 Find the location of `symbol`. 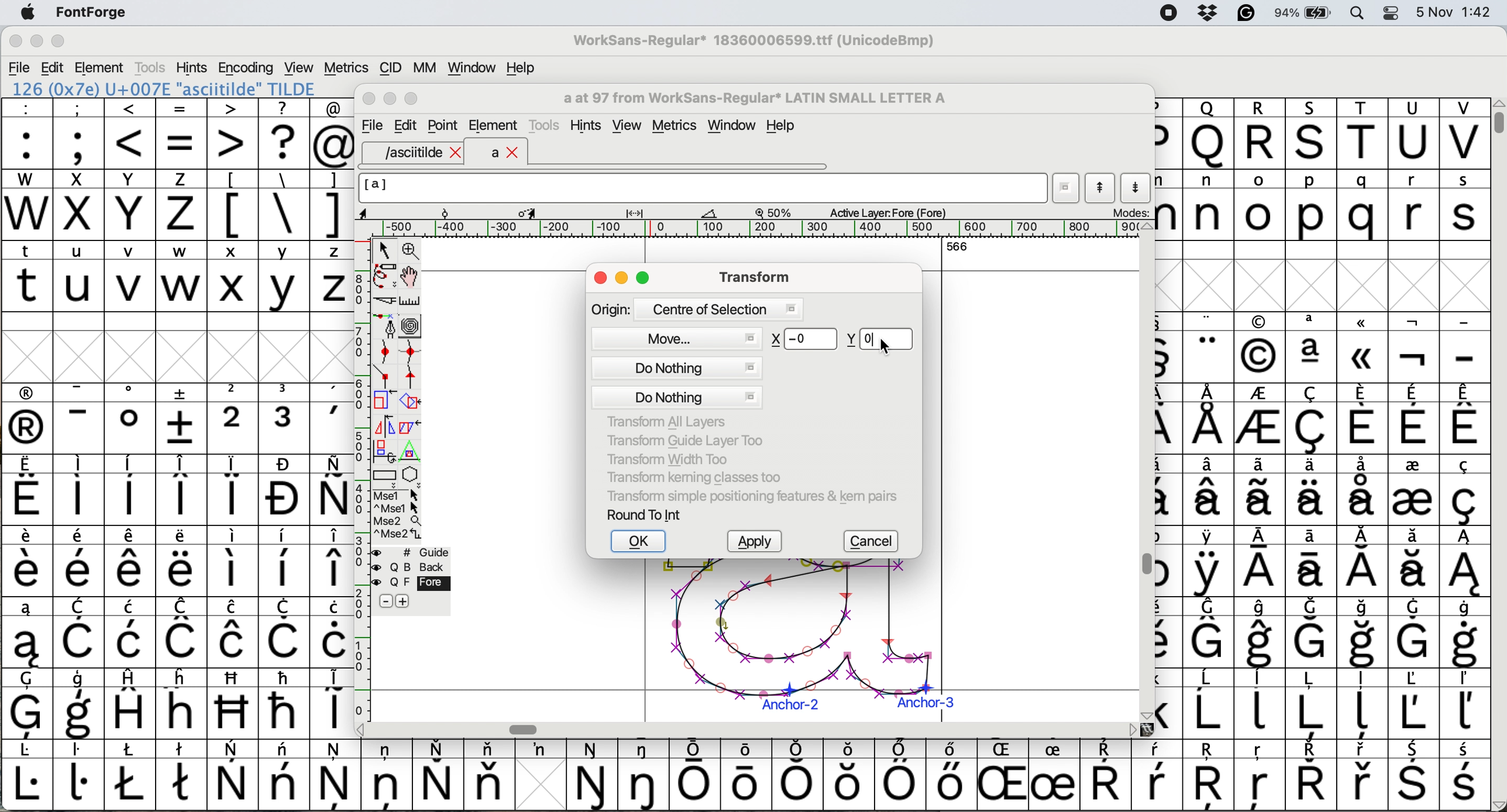

symbol is located at coordinates (234, 490).